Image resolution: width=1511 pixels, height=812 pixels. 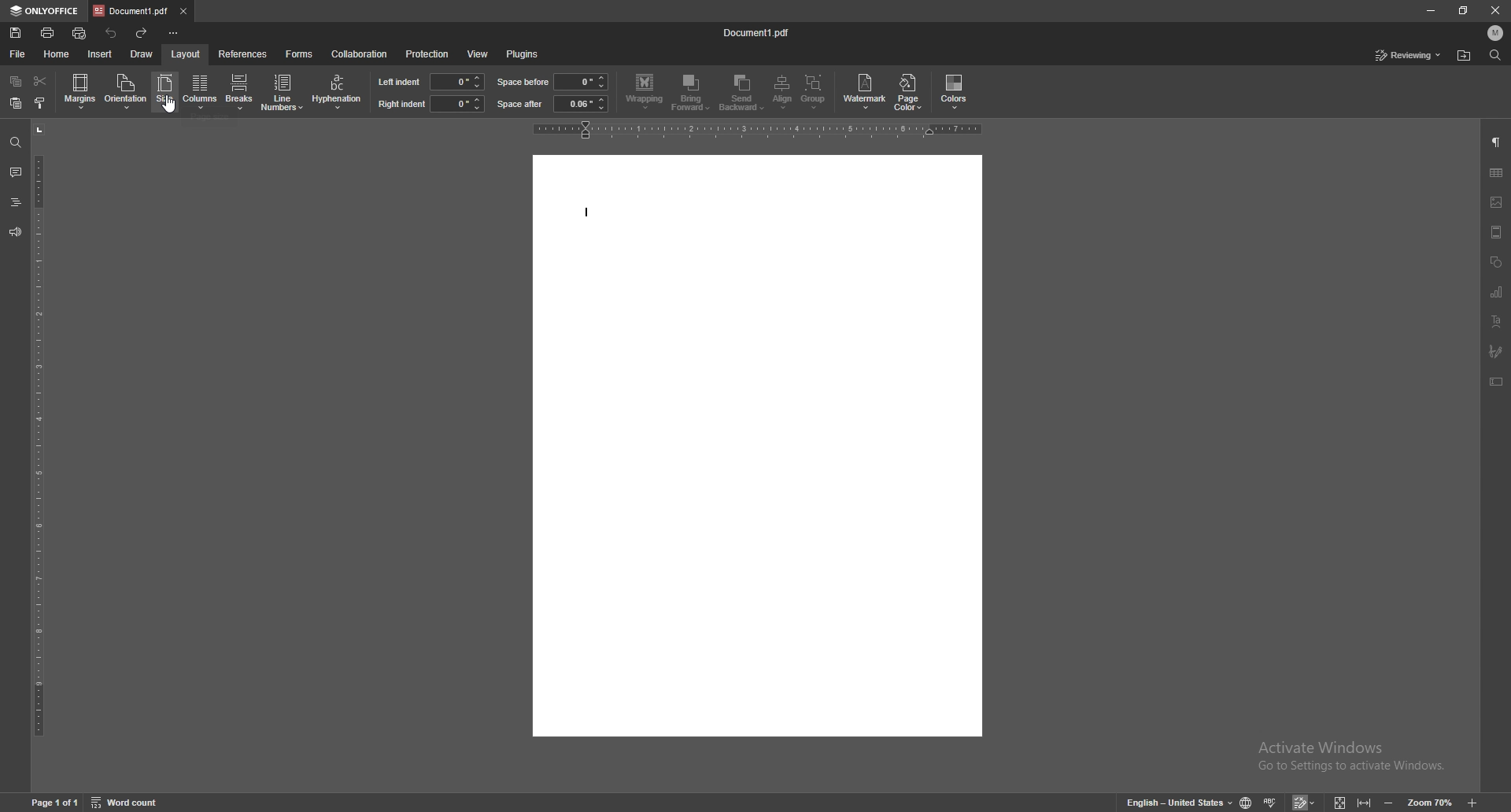 I want to click on columns, so click(x=200, y=92).